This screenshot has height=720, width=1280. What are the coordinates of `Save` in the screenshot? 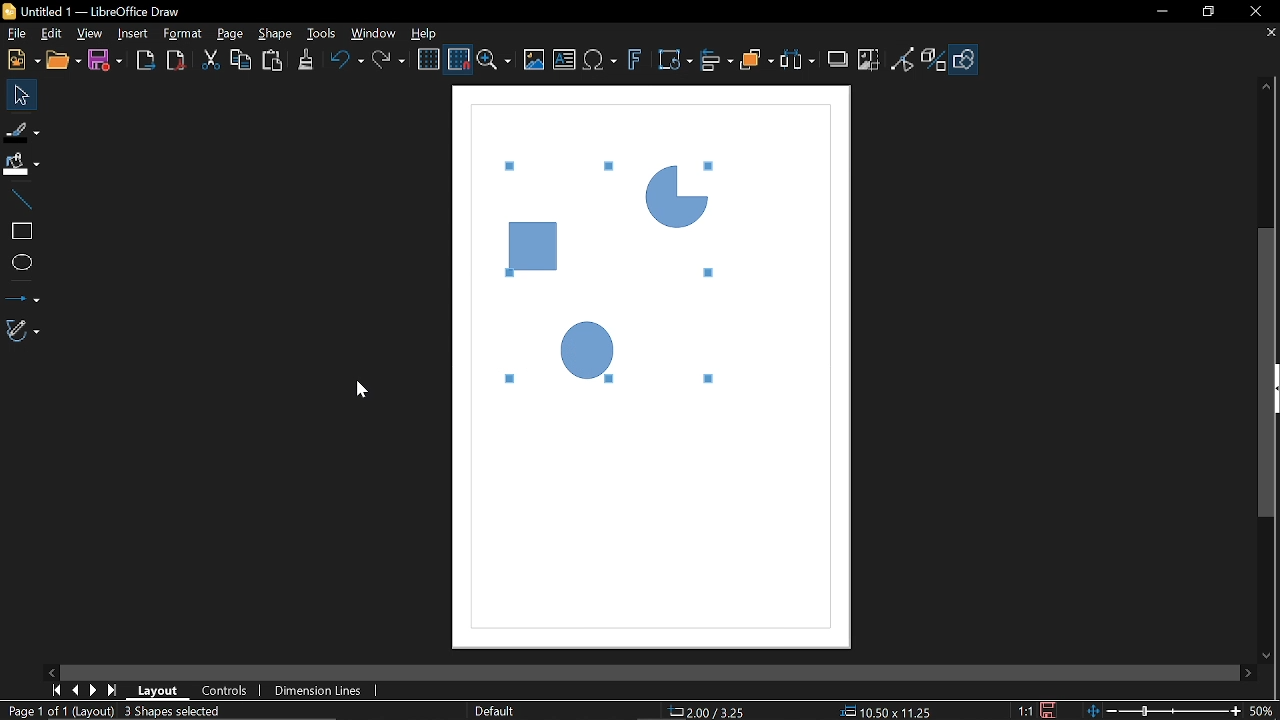 It's located at (108, 62).